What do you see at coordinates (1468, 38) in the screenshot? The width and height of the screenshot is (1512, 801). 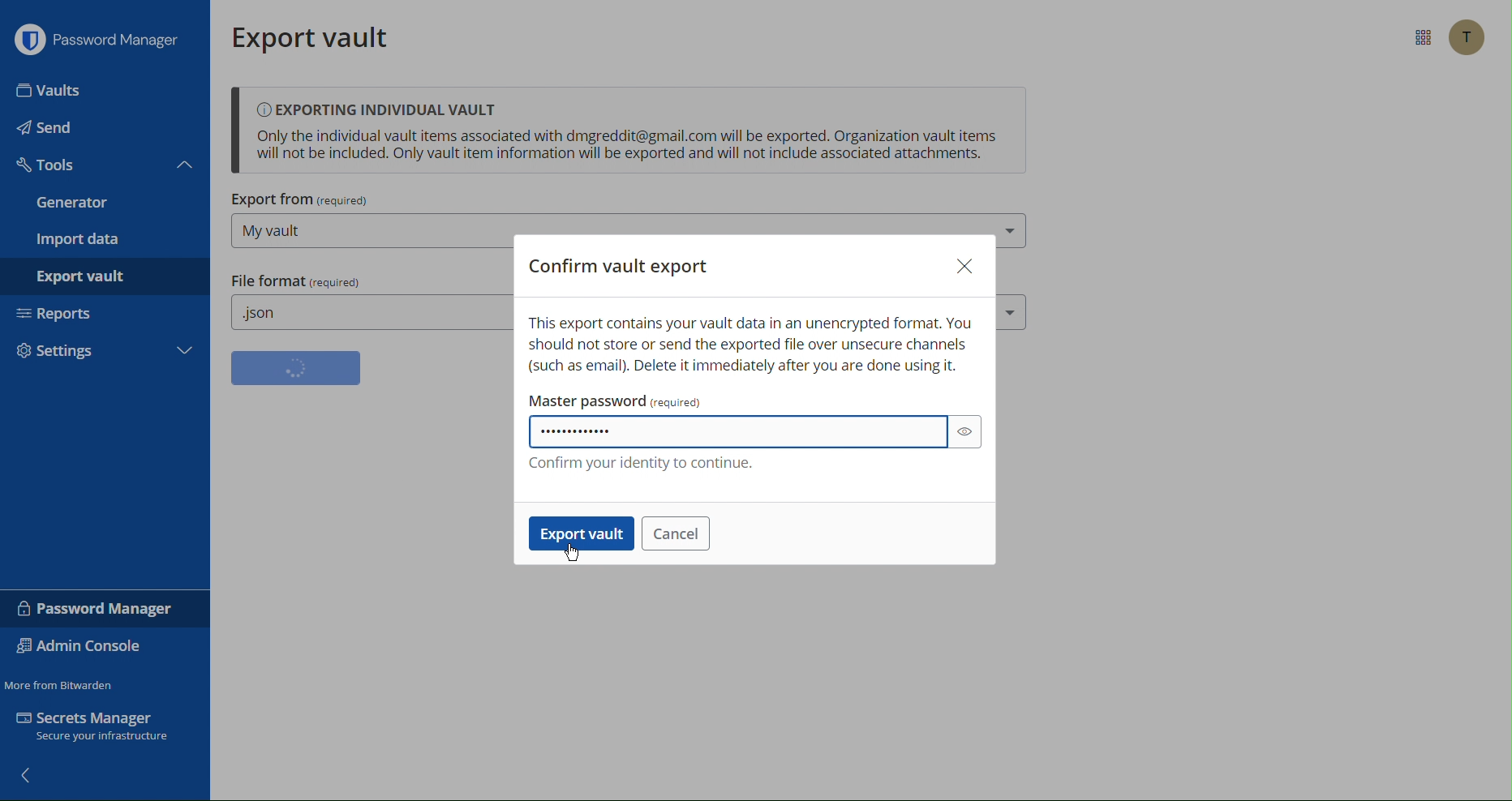 I see `Account` at bounding box center [1468, 38].